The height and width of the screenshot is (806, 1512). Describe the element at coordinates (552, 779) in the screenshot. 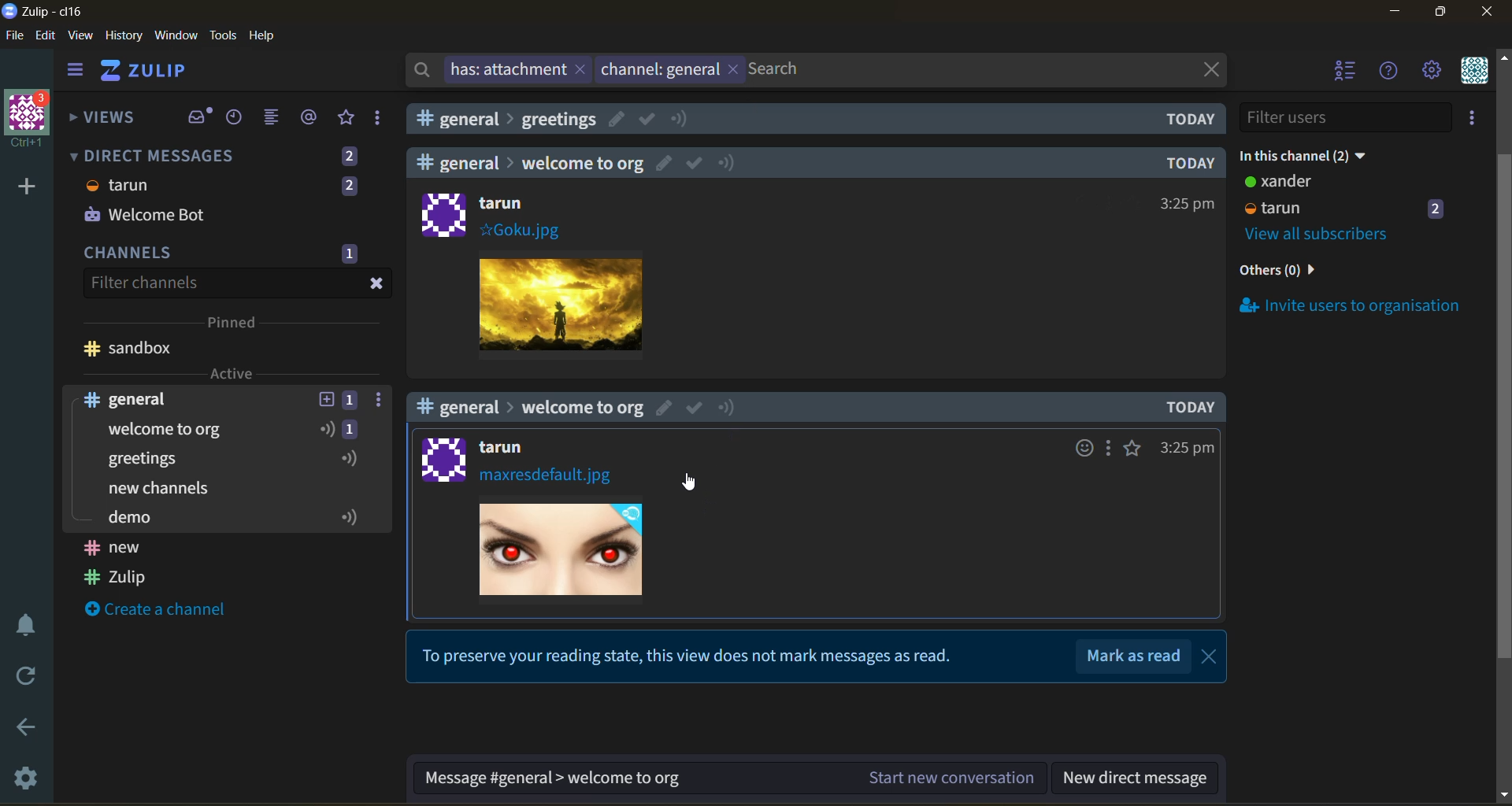

I see `Message #general > welcome to org` at that location.